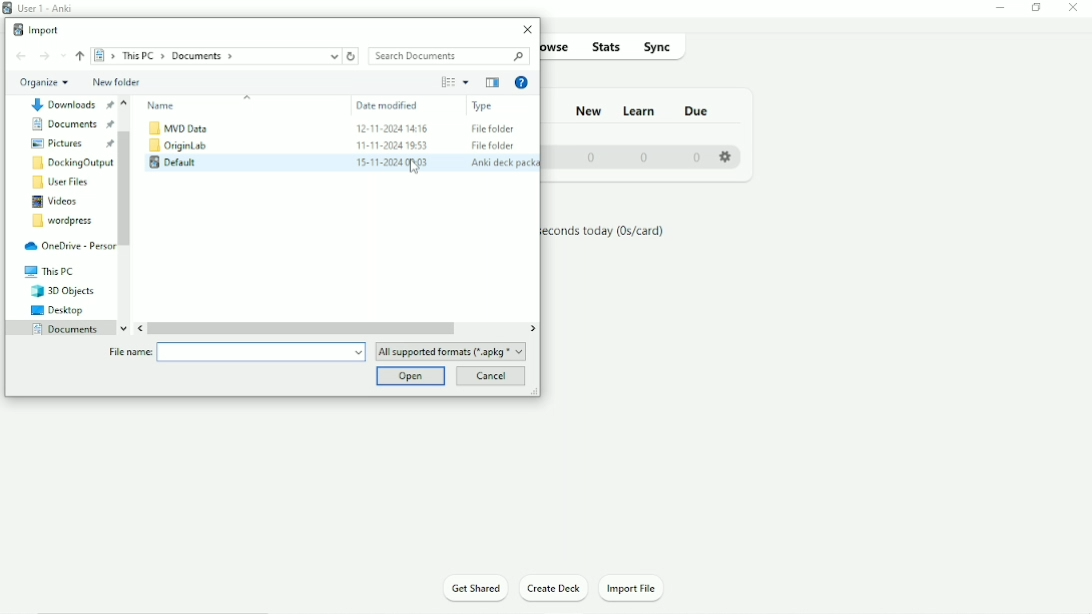 The image size is (1092, 614). What do you see at coordinates (504, 164) in the screenshot?
I see `Anki deck package` at bounding box center [504, 164].